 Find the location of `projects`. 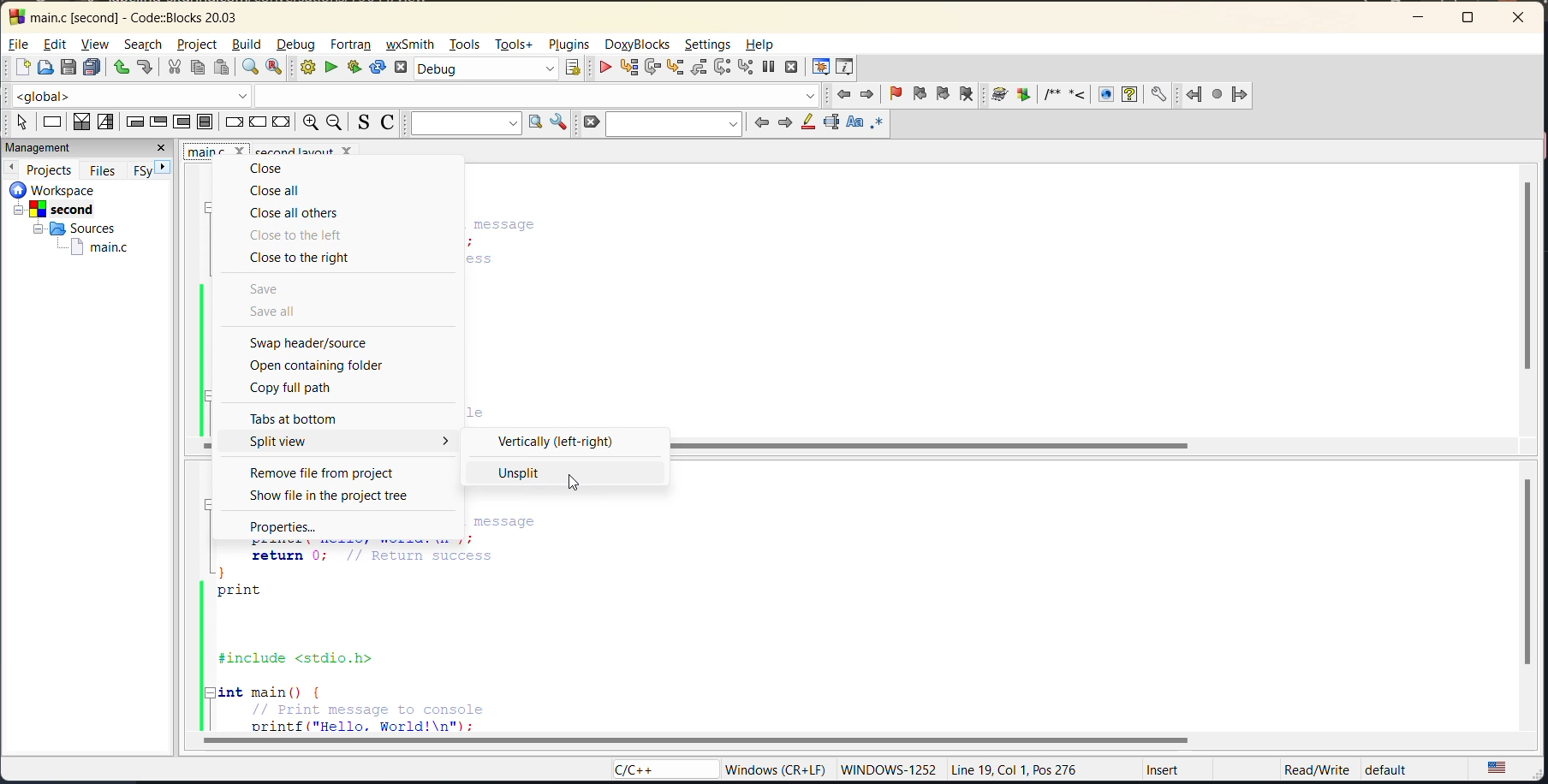

projects is located at coordinates (51, 169).